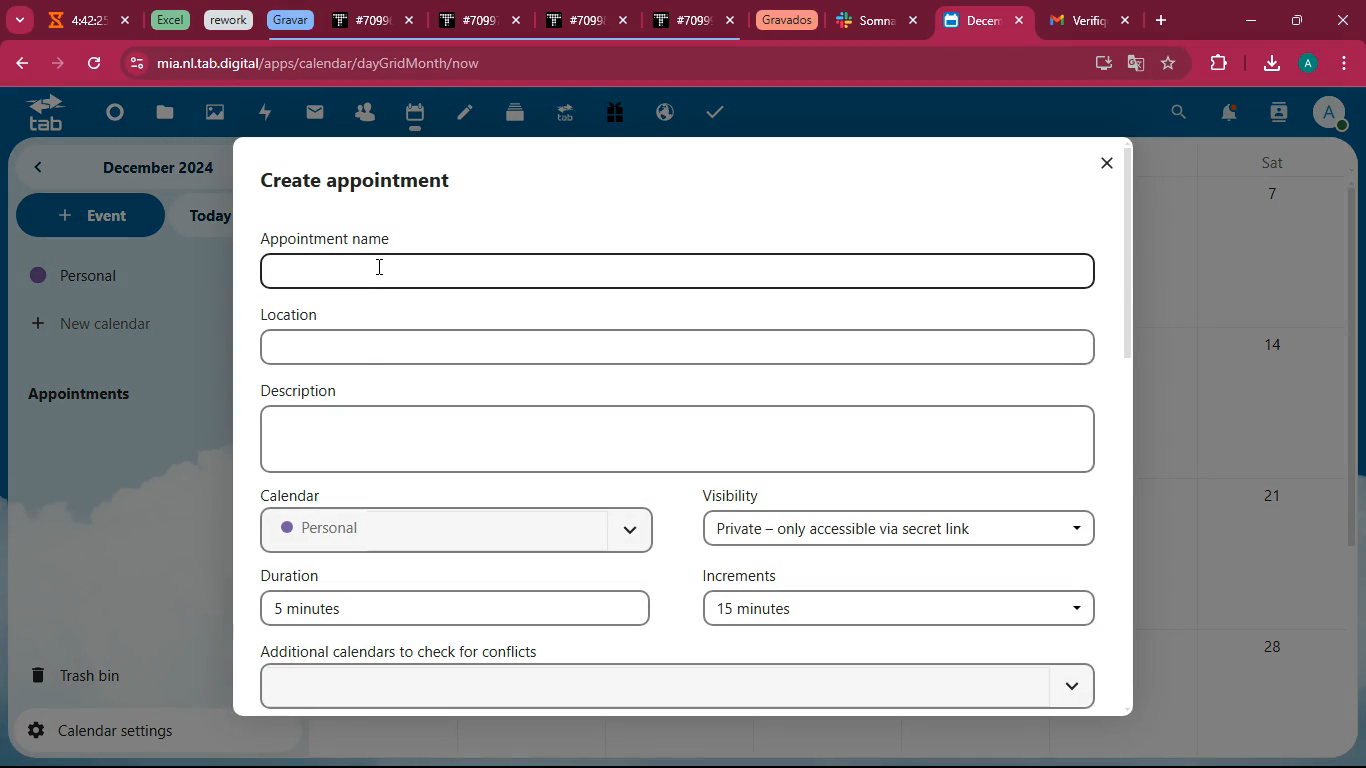 Image resolution: width=1366 pixels, height=768 pixels. What do you see at coordinates (787, 22) in the screenshot?
I see `tab` at bounding box center [787, 22].